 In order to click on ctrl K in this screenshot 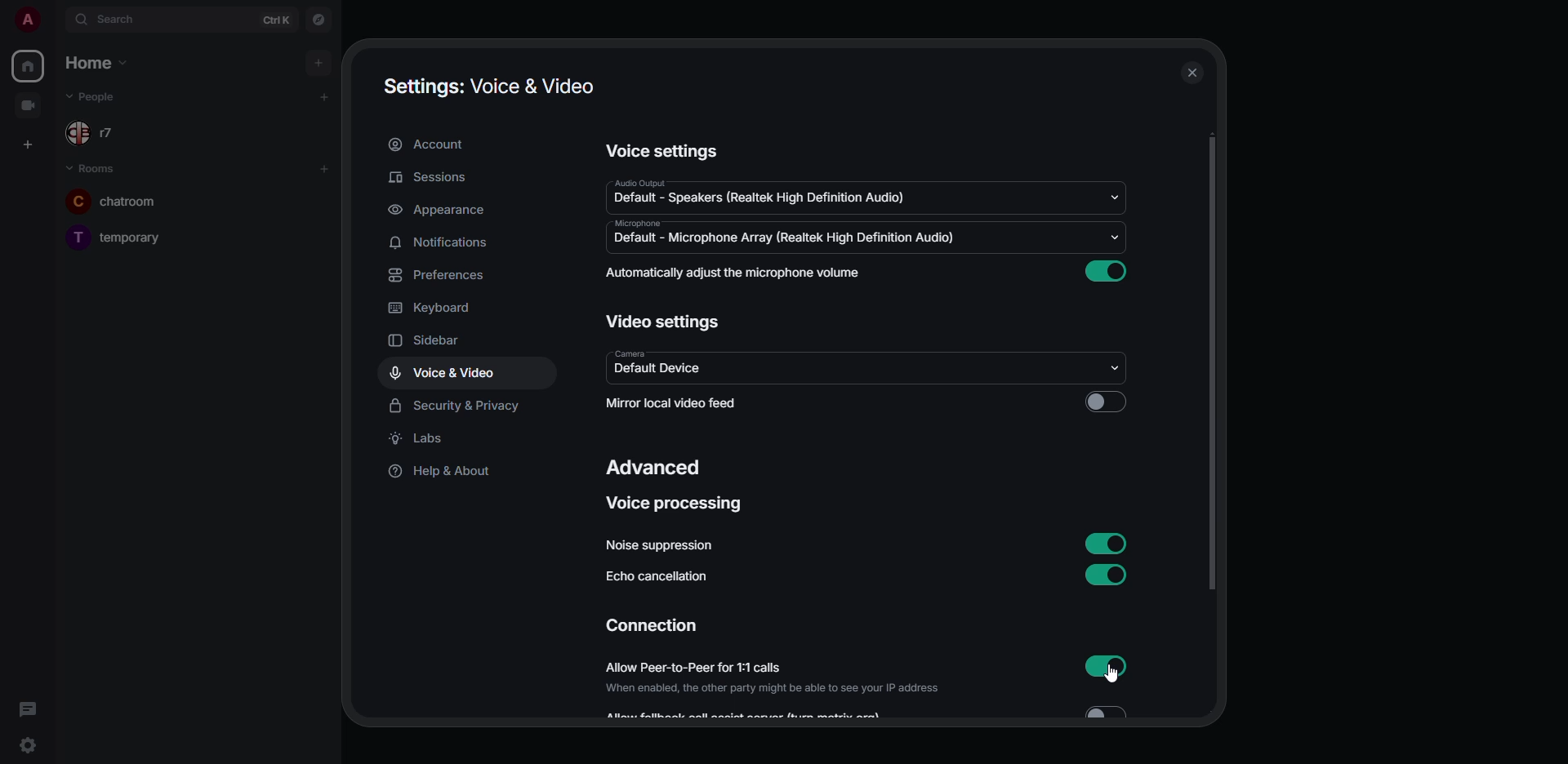, I will do `click(275, 20)`.